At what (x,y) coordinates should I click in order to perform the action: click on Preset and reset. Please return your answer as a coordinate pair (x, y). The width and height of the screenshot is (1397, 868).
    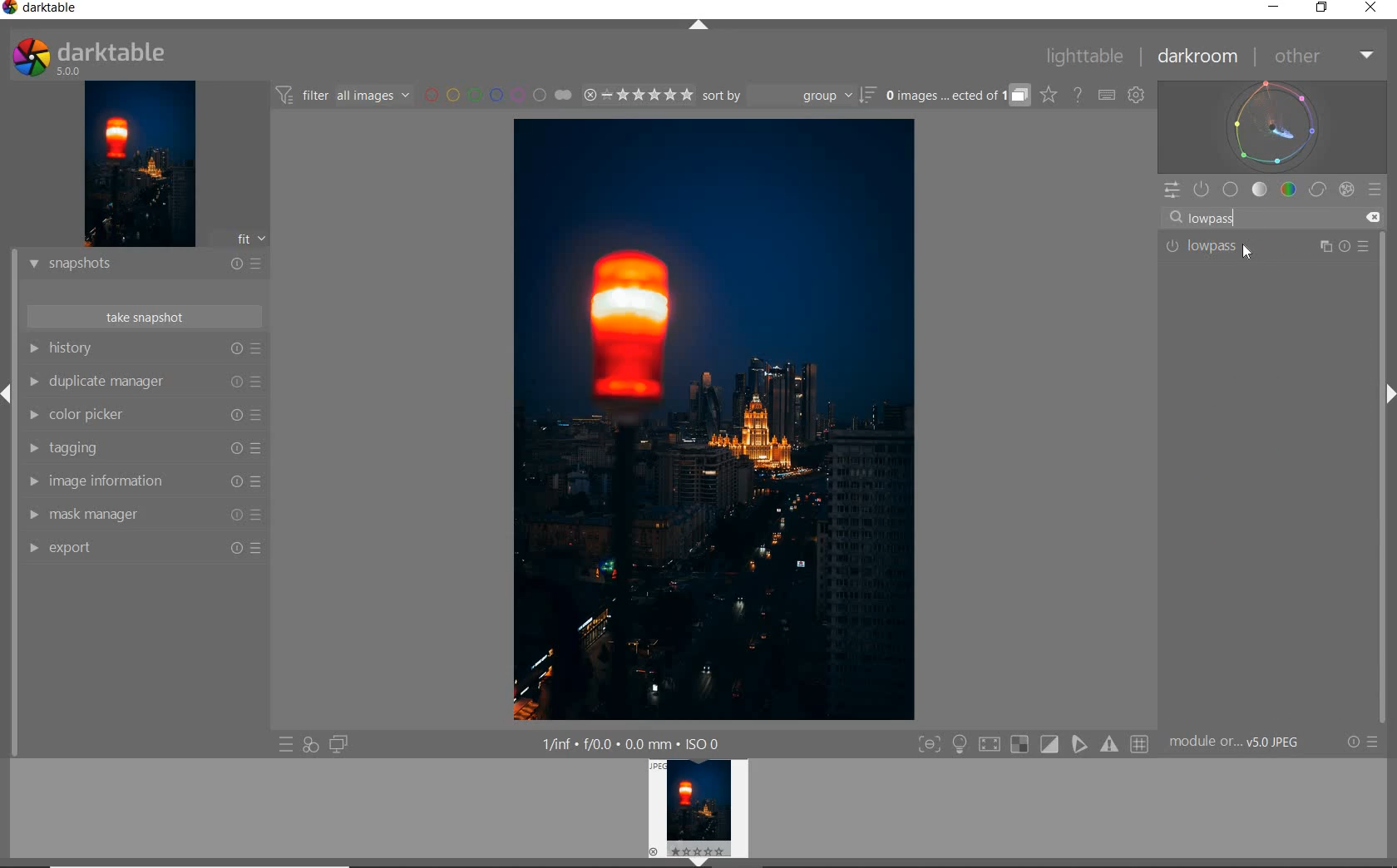
    Looking at the image, I should click on (1376, 744).